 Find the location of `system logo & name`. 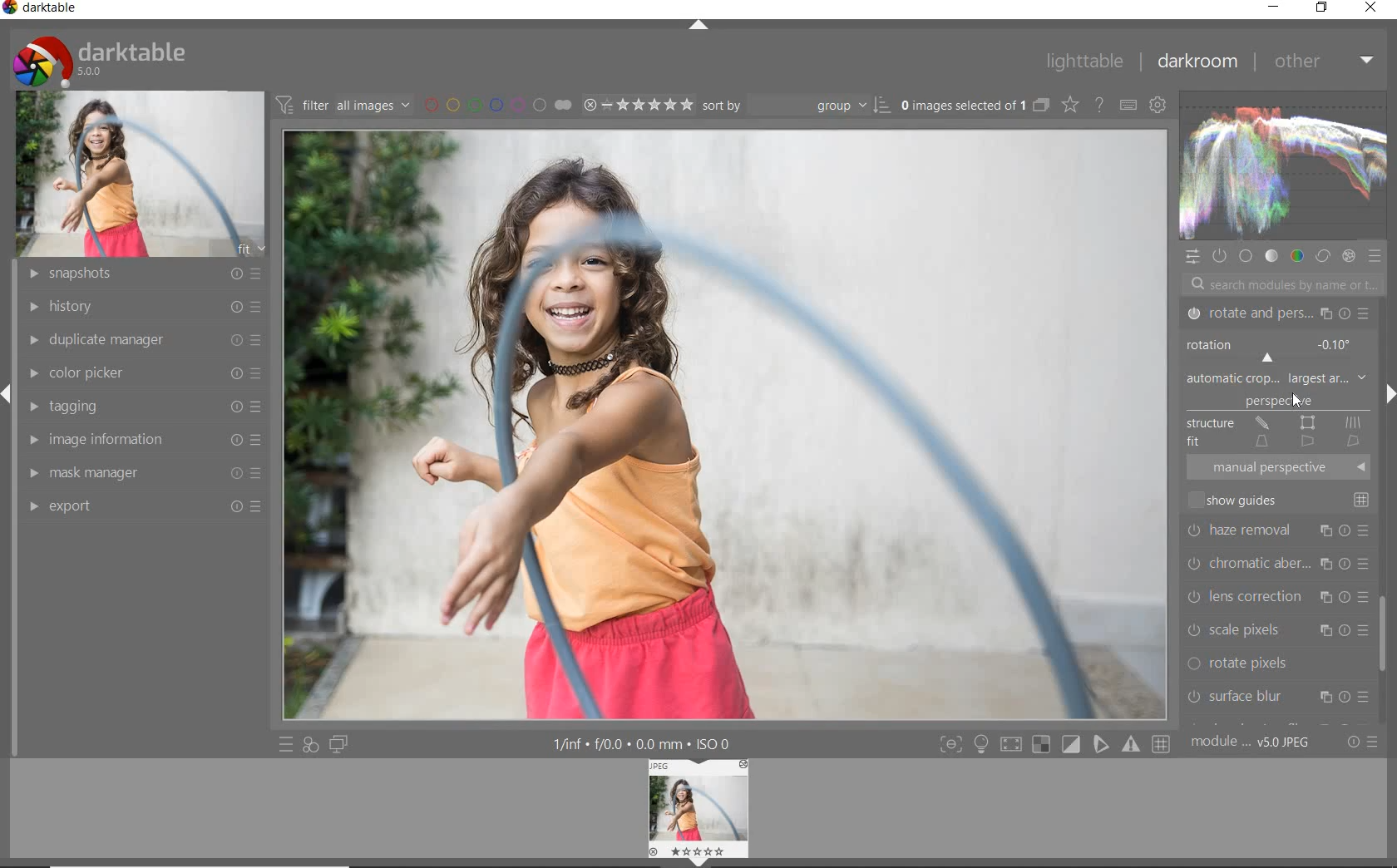

system logo & name is located at coordinates (103, 61).